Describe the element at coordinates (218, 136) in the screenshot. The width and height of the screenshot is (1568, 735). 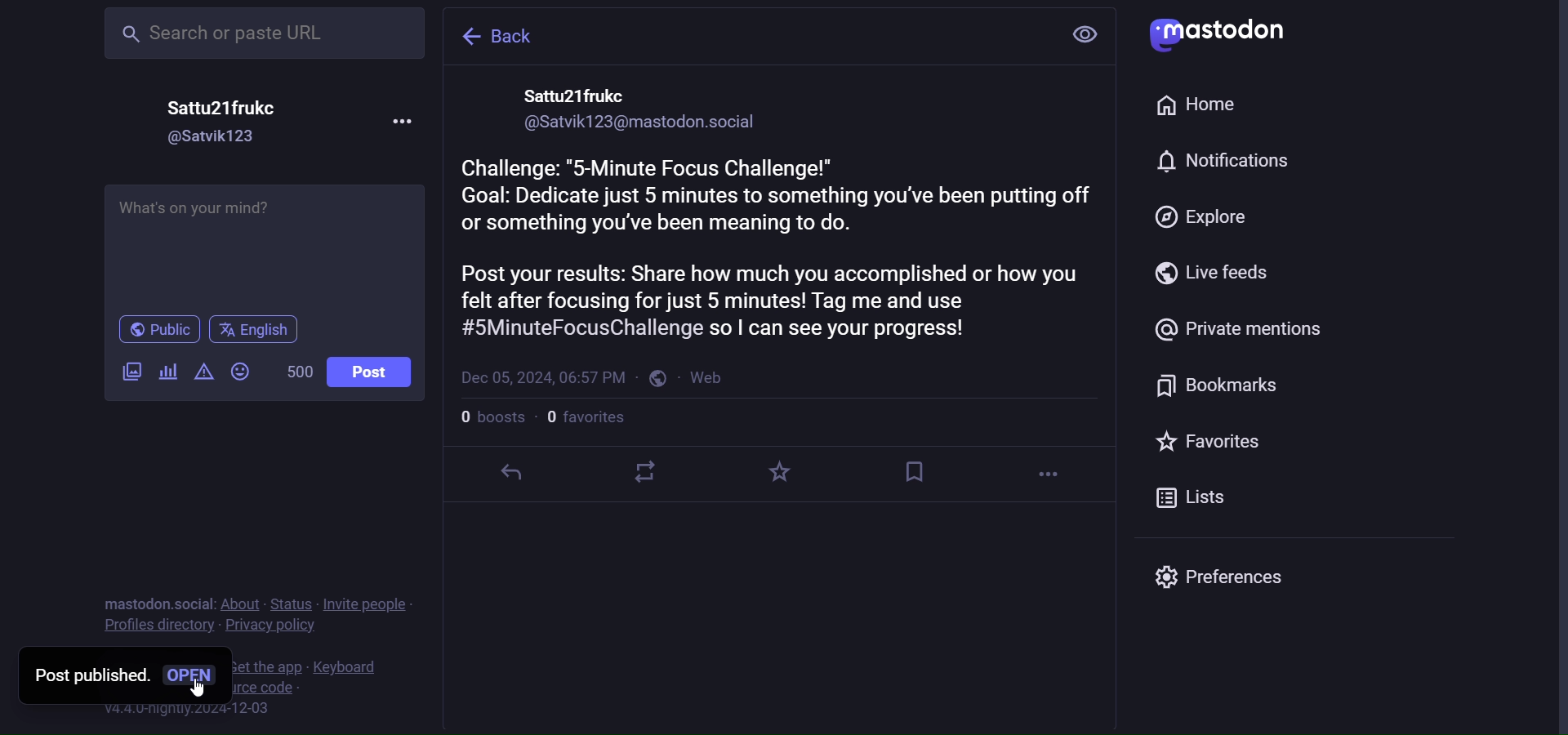
I see `id` at that location.